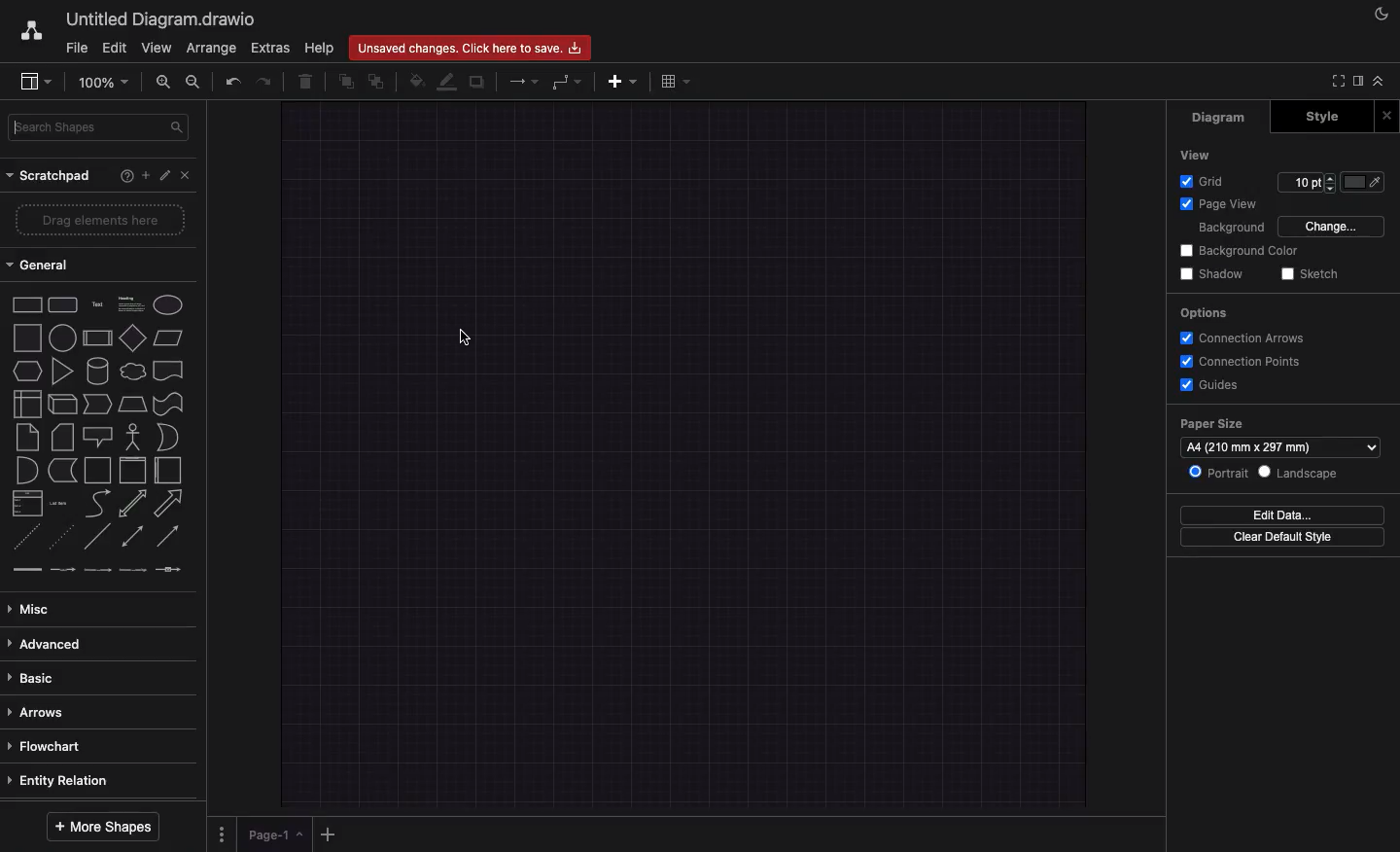 The height and width of the screenshot is (852, 1400). What do you see at coordinates (1313, 272) in the screenshot?
I see `Sketch` at bounding box center [1313, 272].